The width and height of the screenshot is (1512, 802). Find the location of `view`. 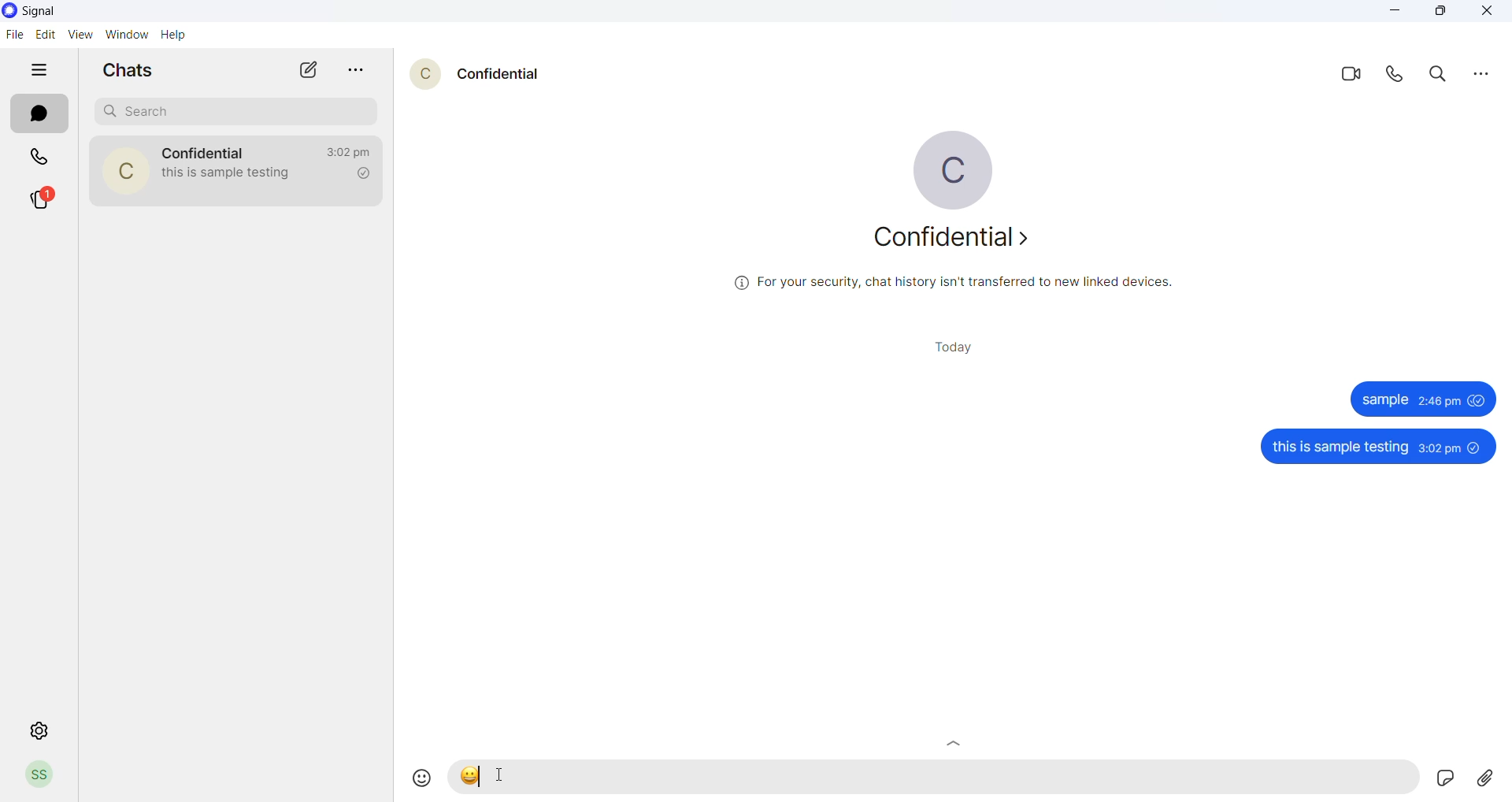

view is located at coordinates (84, 34).